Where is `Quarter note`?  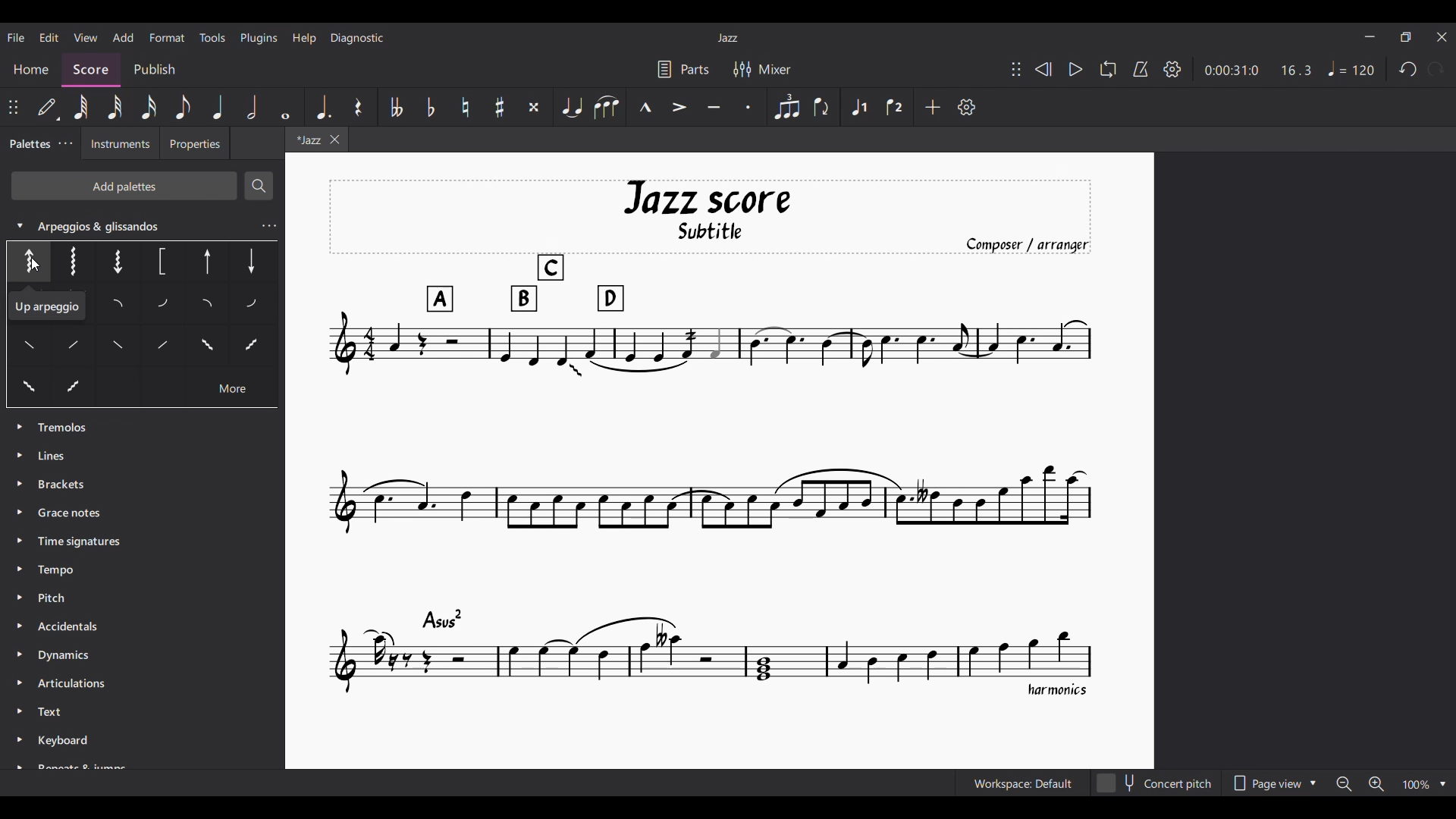
Quarter note is located at coordinates (218, 107).